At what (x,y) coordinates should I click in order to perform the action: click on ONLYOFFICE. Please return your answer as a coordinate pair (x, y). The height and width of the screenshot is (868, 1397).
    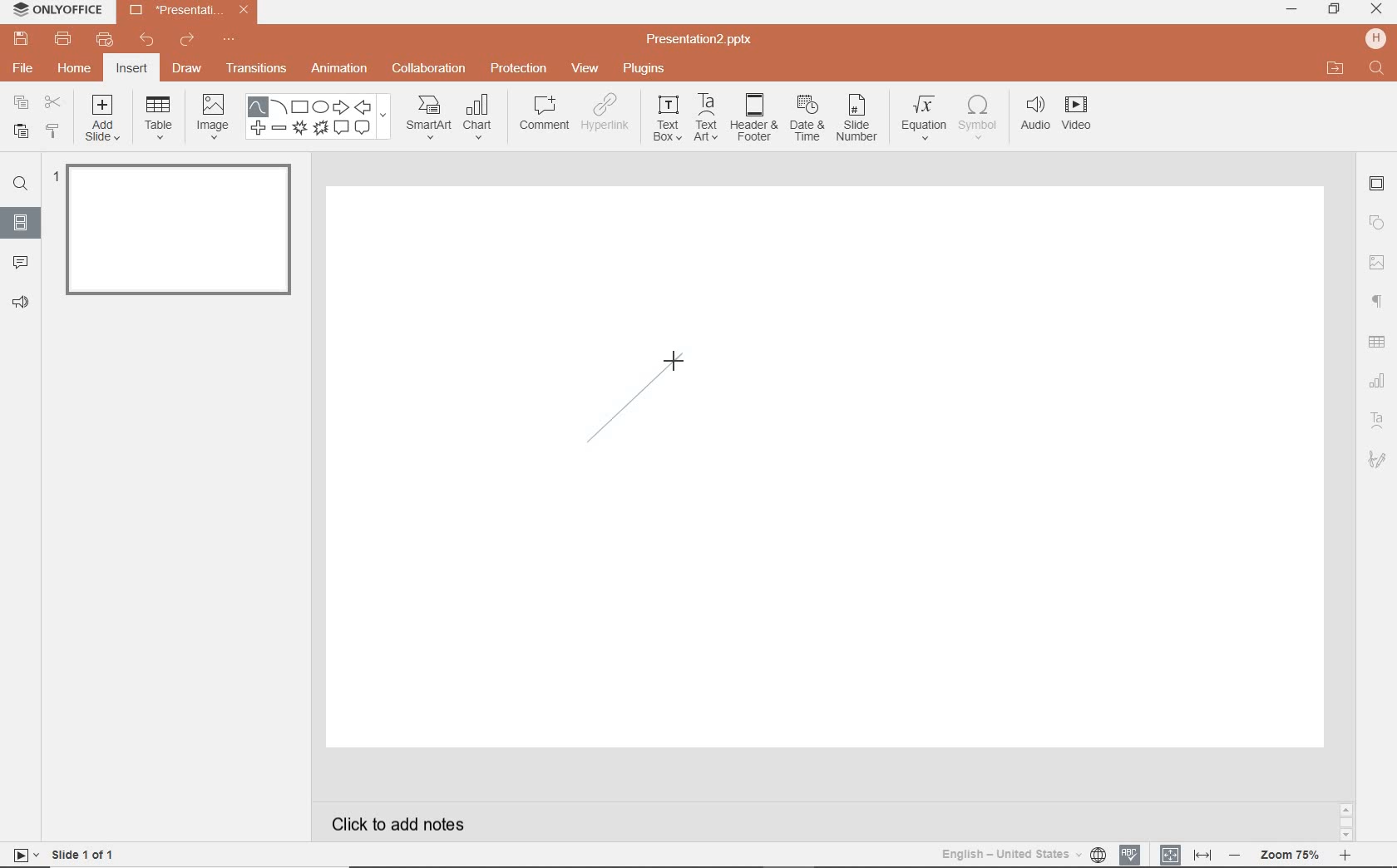
    Looking at the image, I should click on (58, 11).